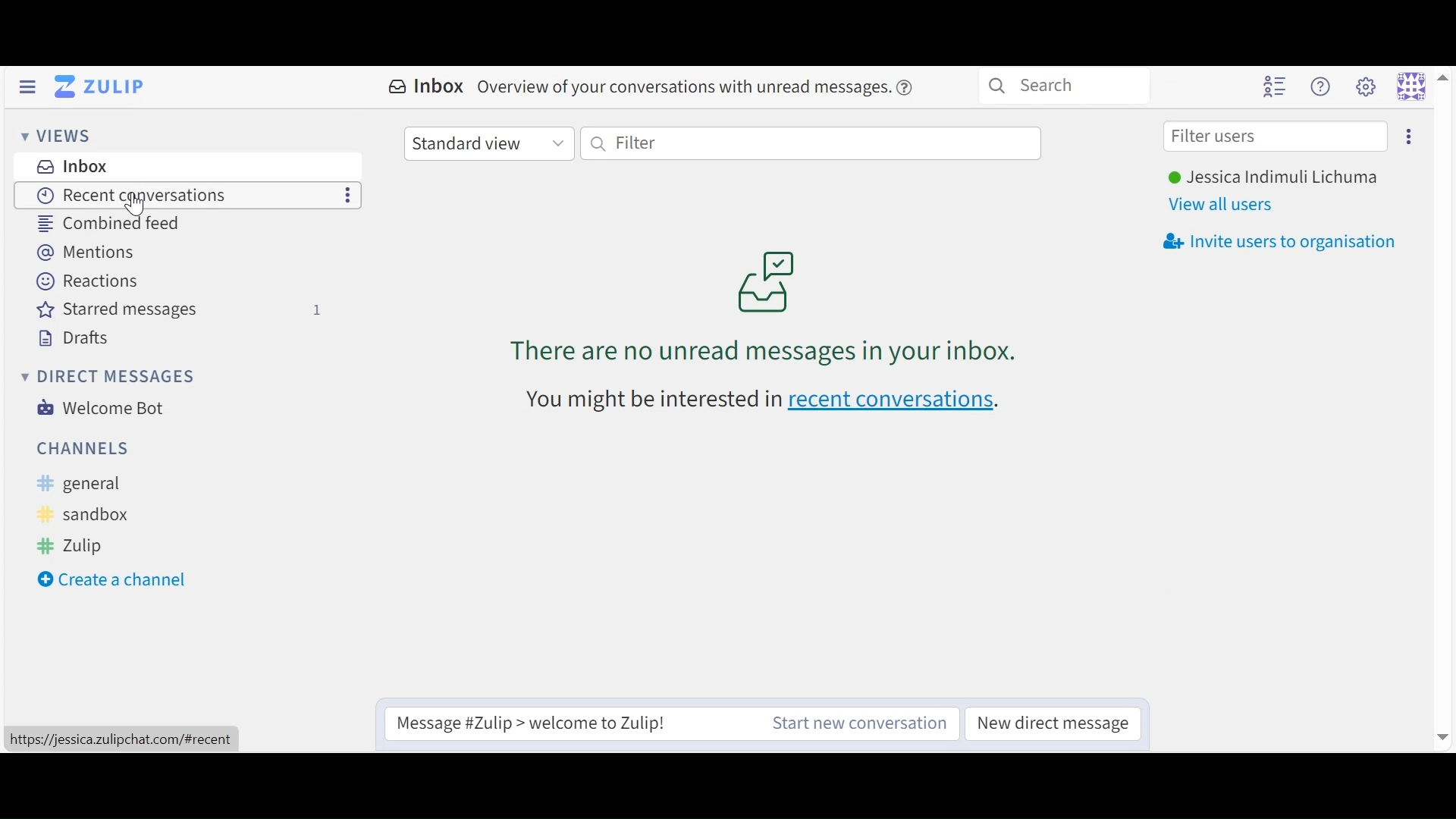 This screenshot has width=1456, height=819. What do you see at coordinates (120, 579) in the screenshot?
I see `Create a new Channel` at bounding box center [120, 579].